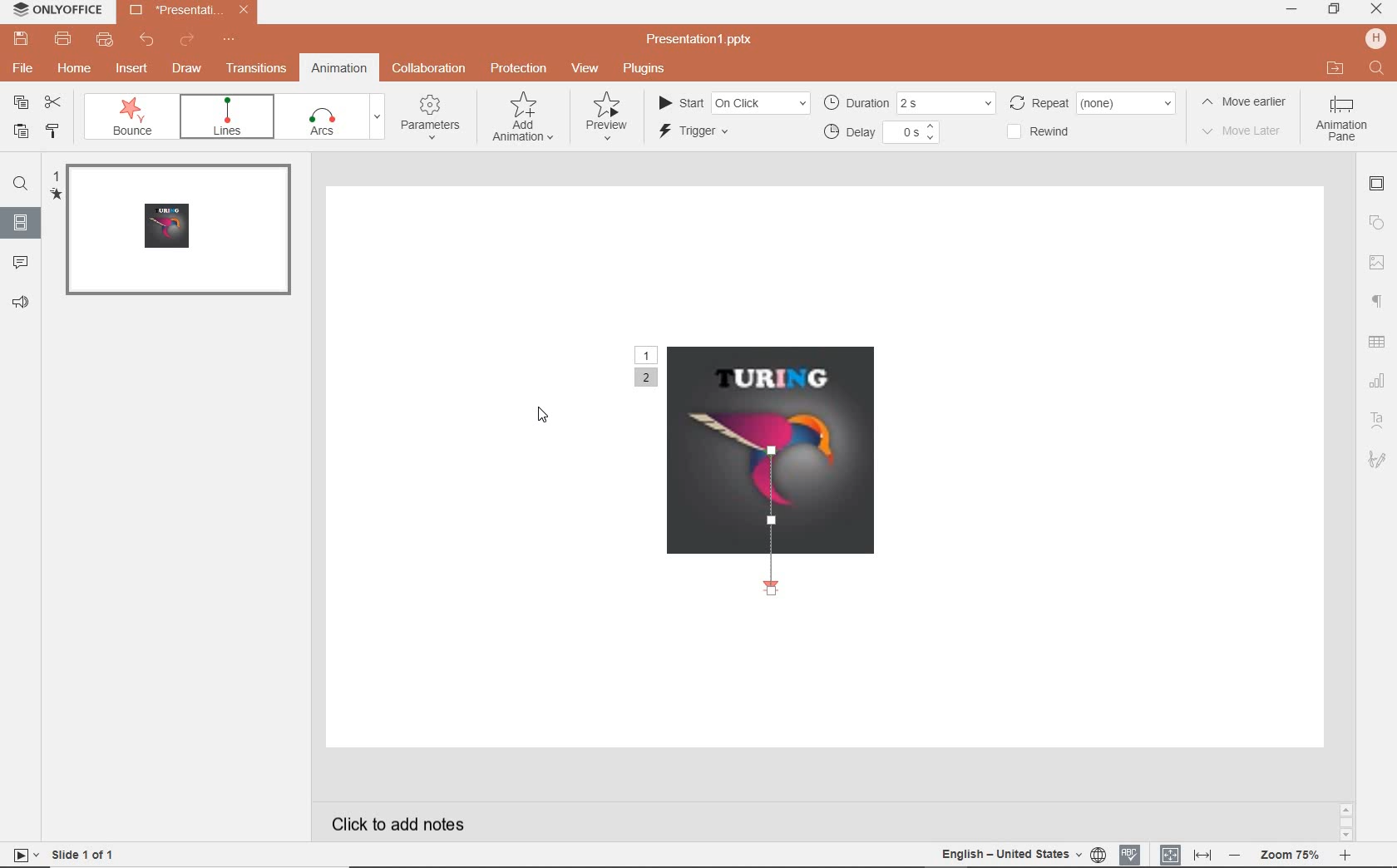 The width and height of the screenshot is (1397, 868). I want to click on transitions, so click(258, 70).